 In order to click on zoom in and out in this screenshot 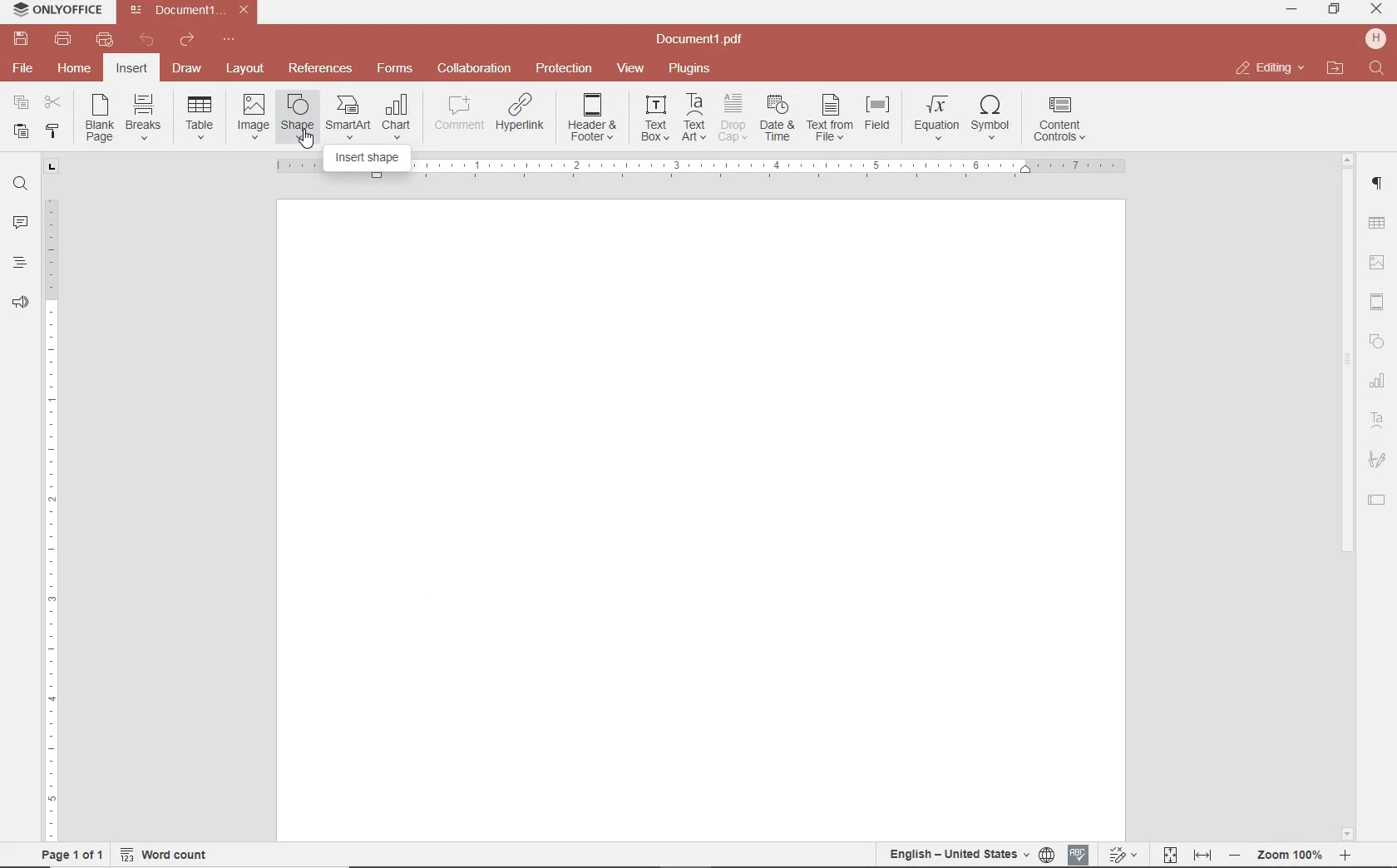, I will do `click(1290, 856)`.